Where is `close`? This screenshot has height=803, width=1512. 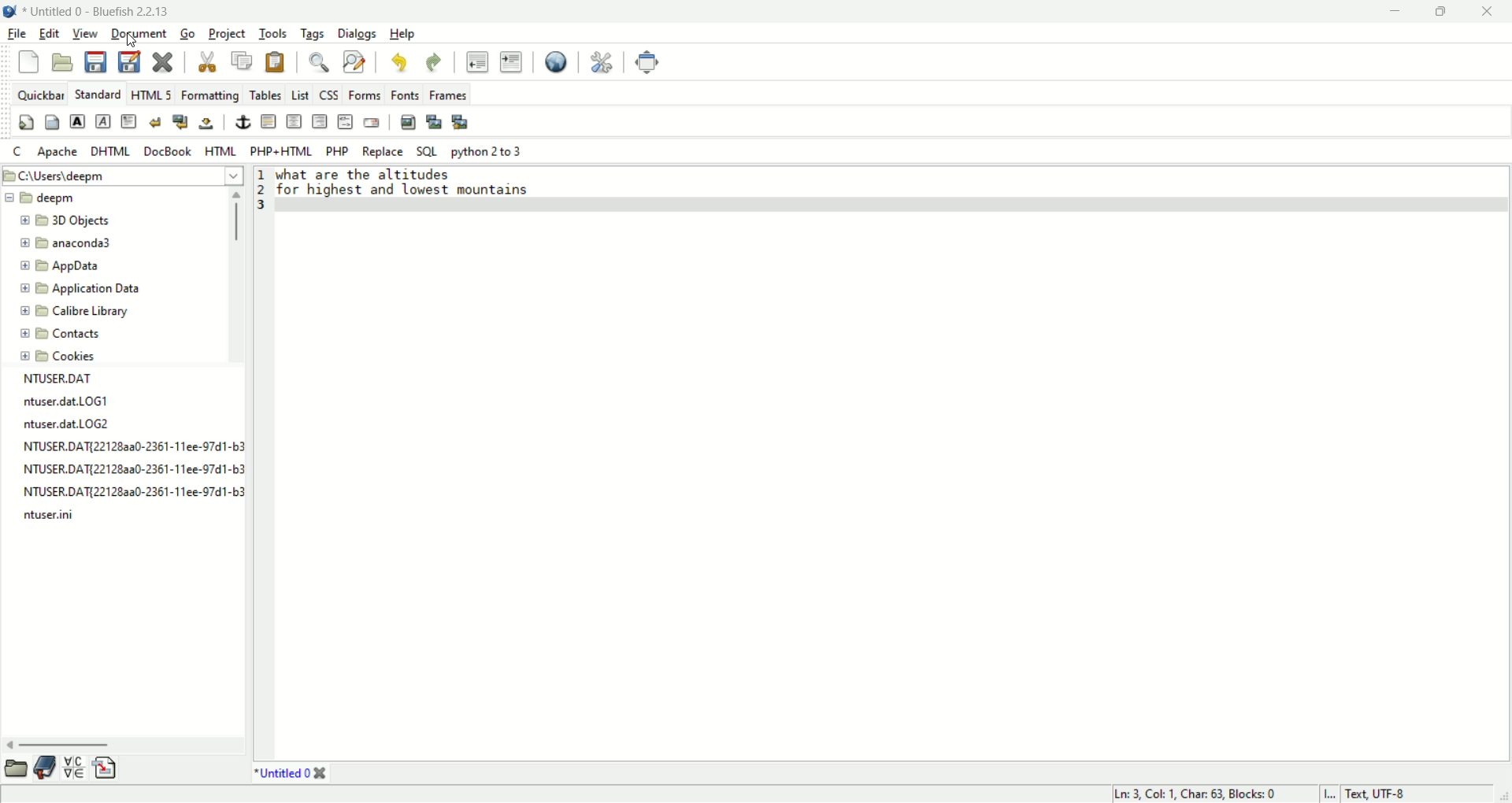 close is located at coordinates (1490, 11).